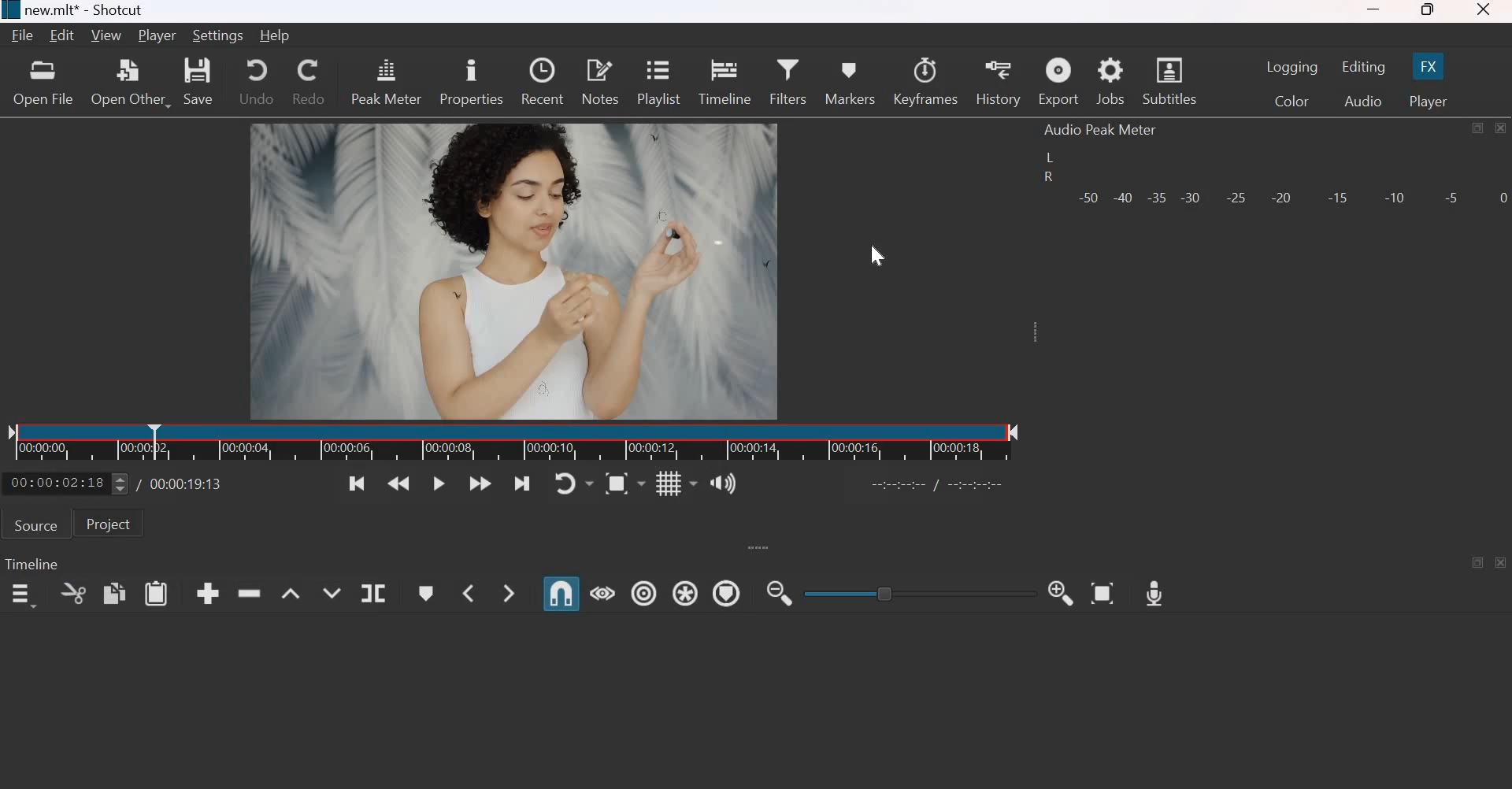 The height and width of the screenshot is (789, 1512). What do you see at coordinates (850, 80) in the screenshot?
I see `Markers` at bounding box center [850, 80].